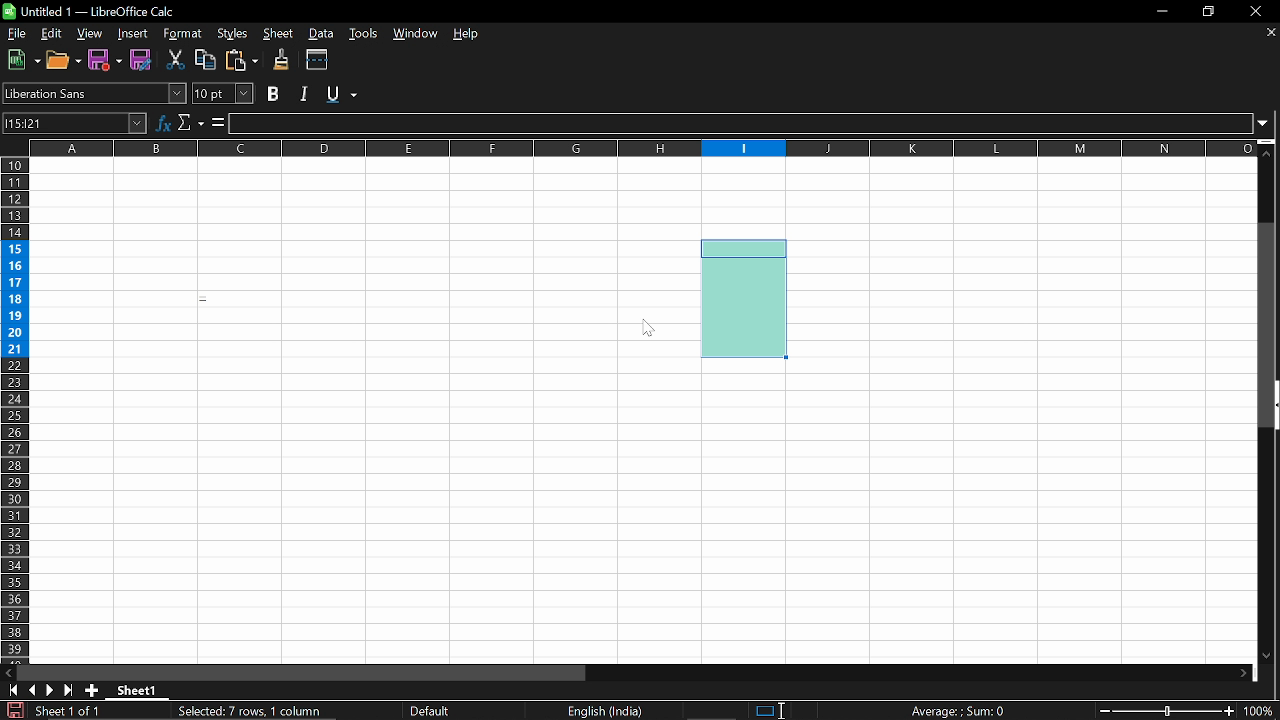  What do you see at coordinates (70, 691) in the screenshot?
I see `Last oage` at bounding box center [70, 691].